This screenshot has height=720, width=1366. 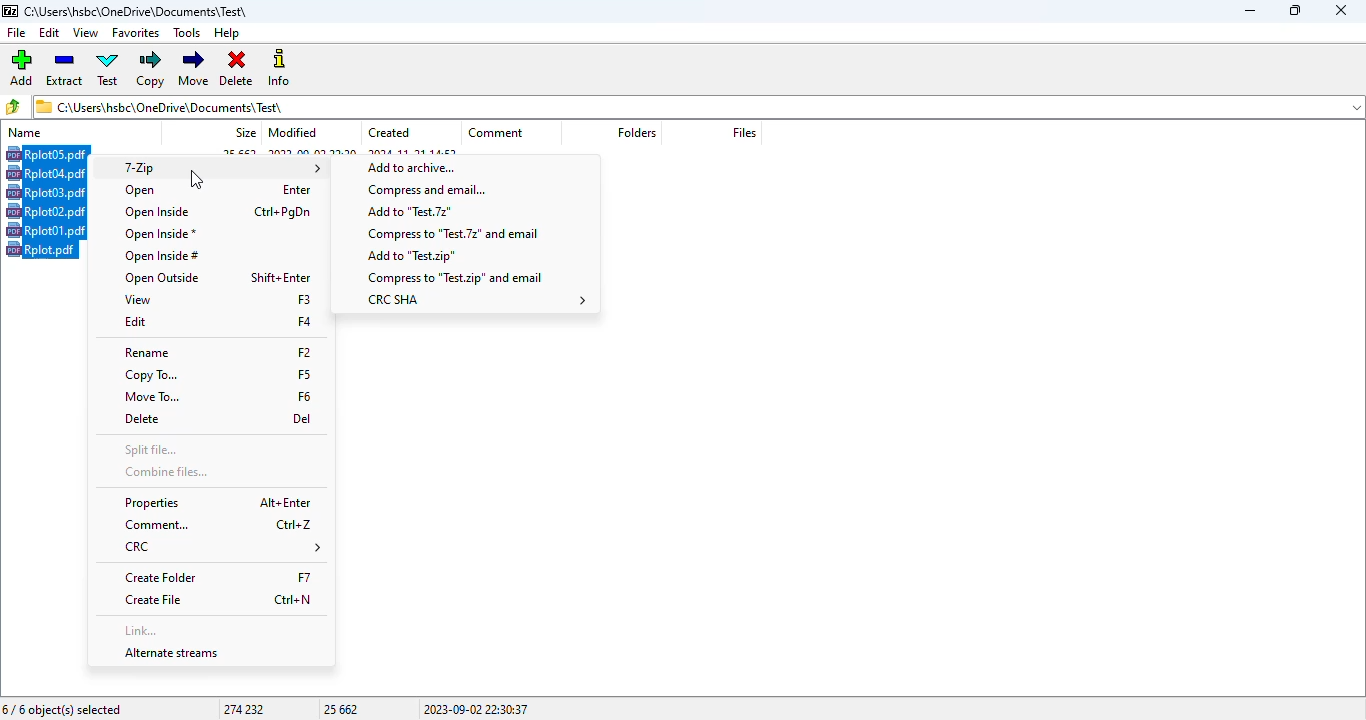 What do you see at coordinates (221, 547) in the screenshot?
I see `CRC` at bounding box center [221, 547].